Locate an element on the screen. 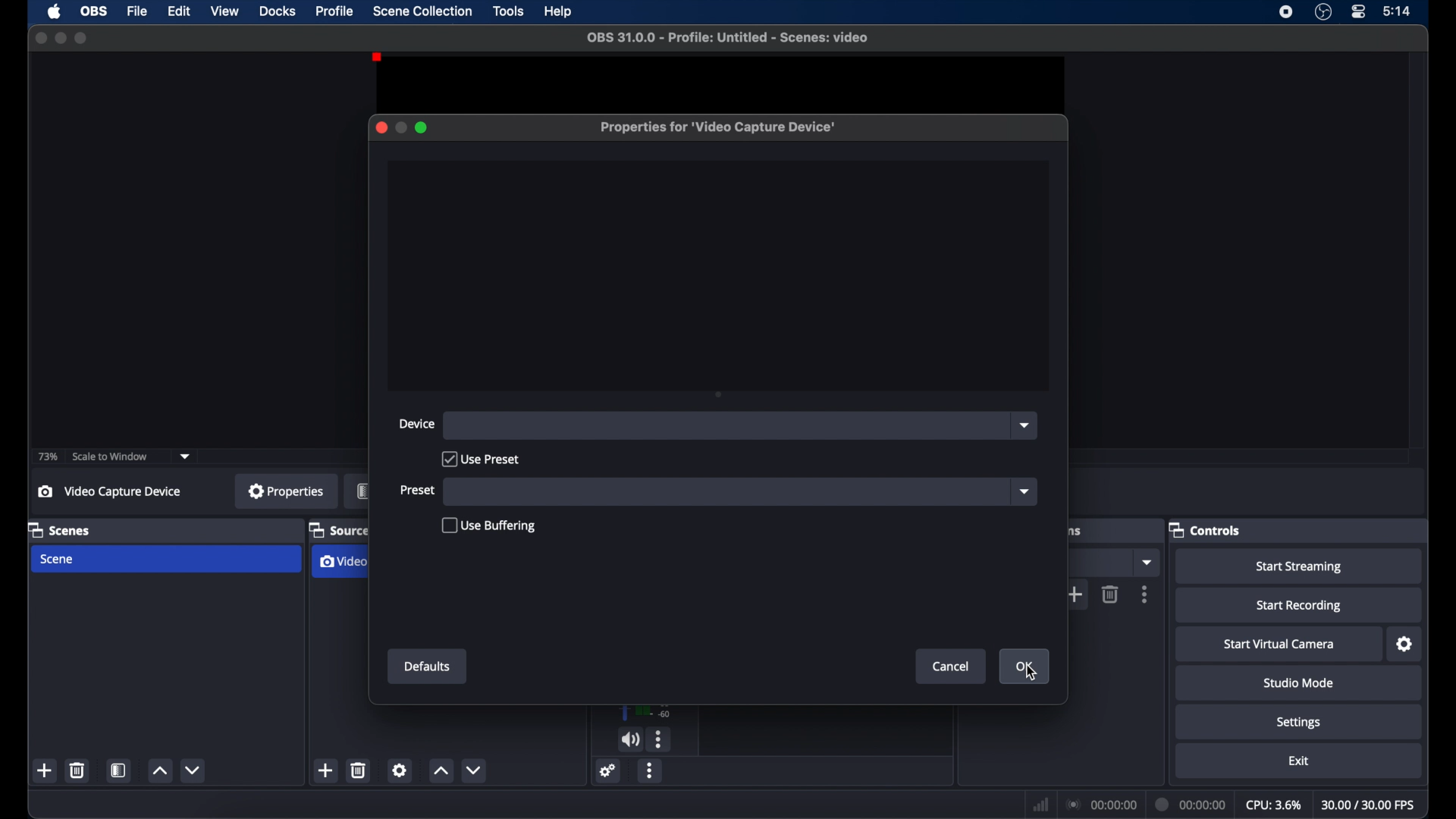 This screenshot has width=1456, height=819. delete is located at coordinates (1110, 595).